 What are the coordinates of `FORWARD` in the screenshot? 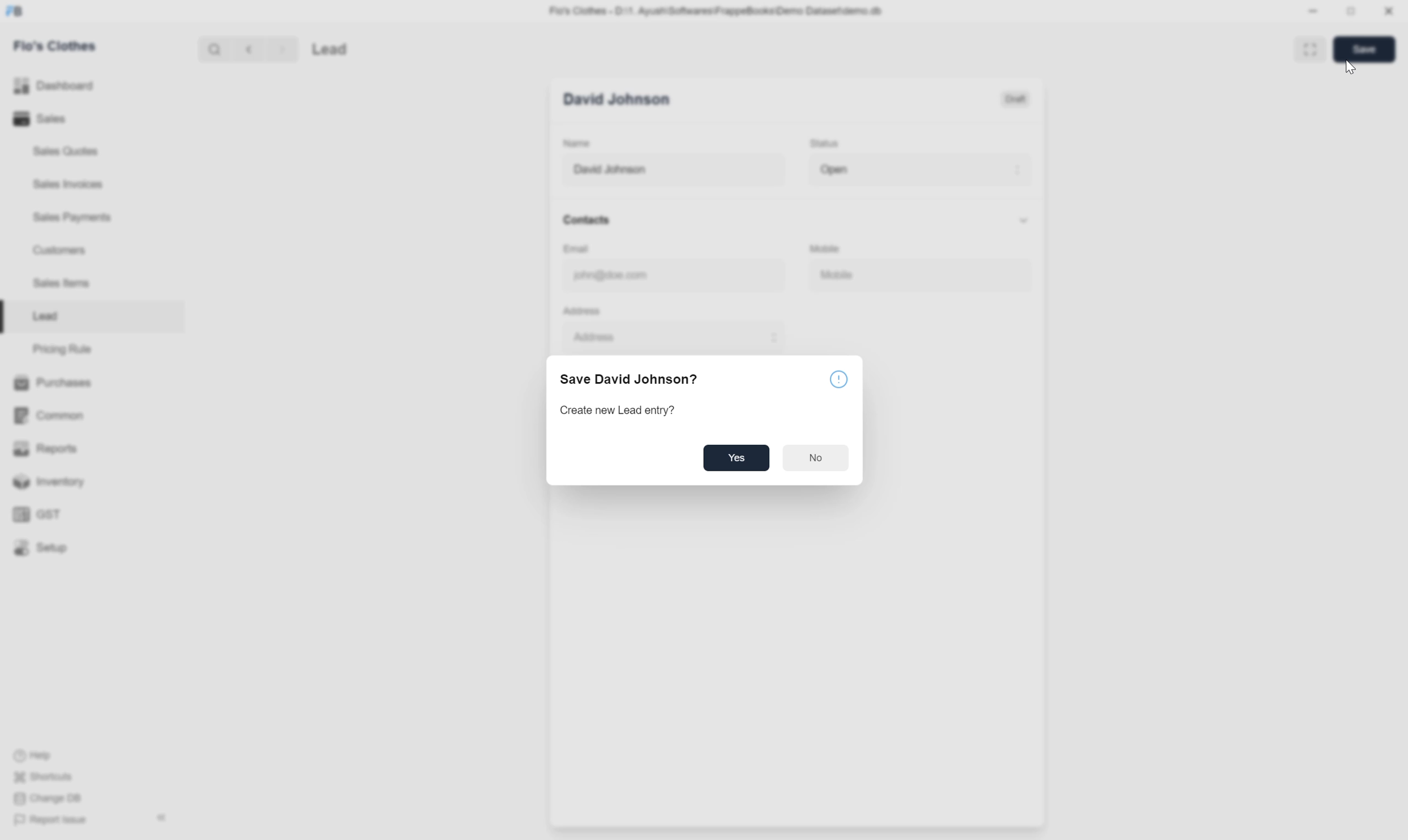 It's located at (284, 49).